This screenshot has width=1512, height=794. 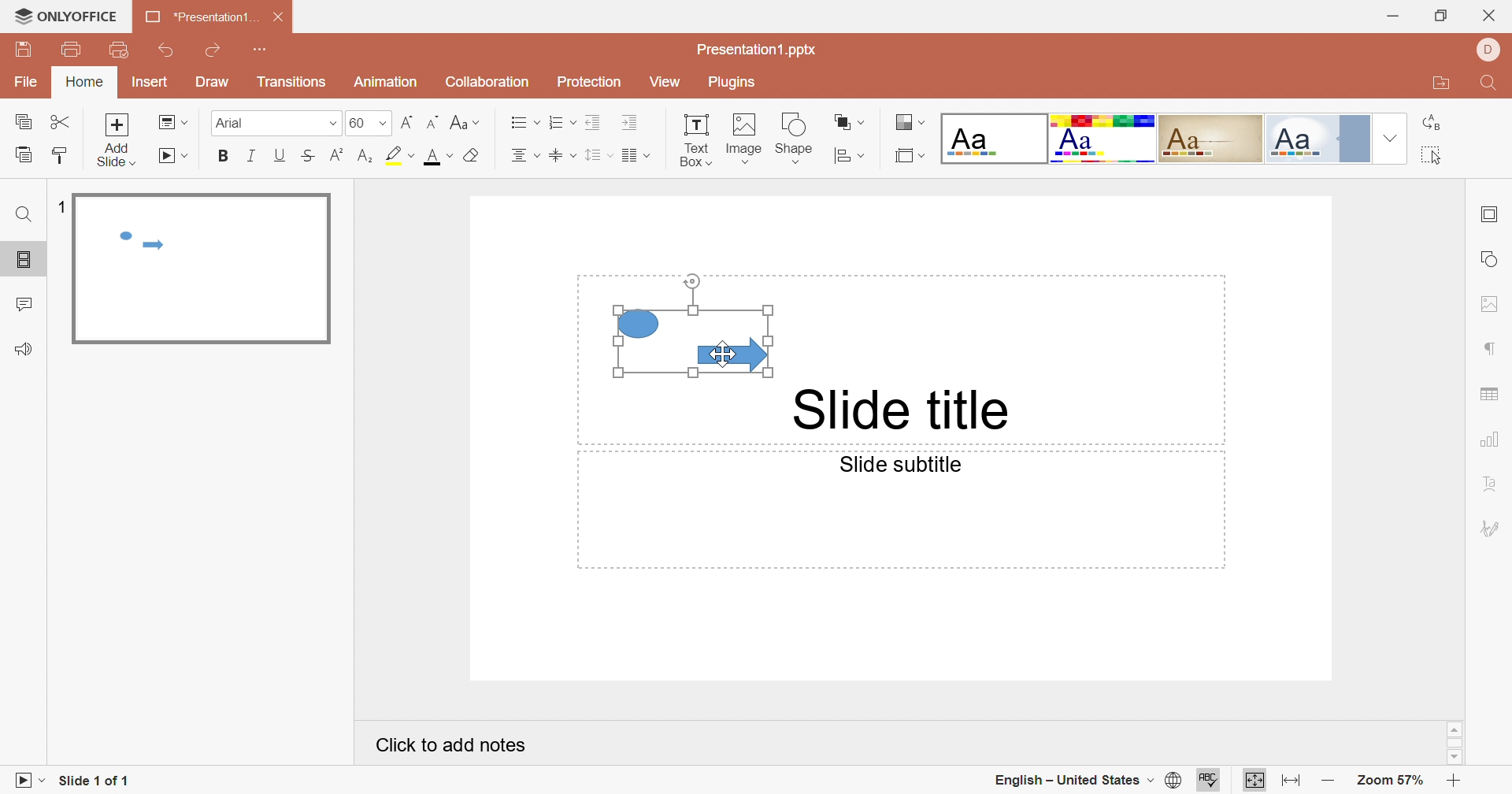 I want to click on Zoom In, so click(x=1456, y=780).